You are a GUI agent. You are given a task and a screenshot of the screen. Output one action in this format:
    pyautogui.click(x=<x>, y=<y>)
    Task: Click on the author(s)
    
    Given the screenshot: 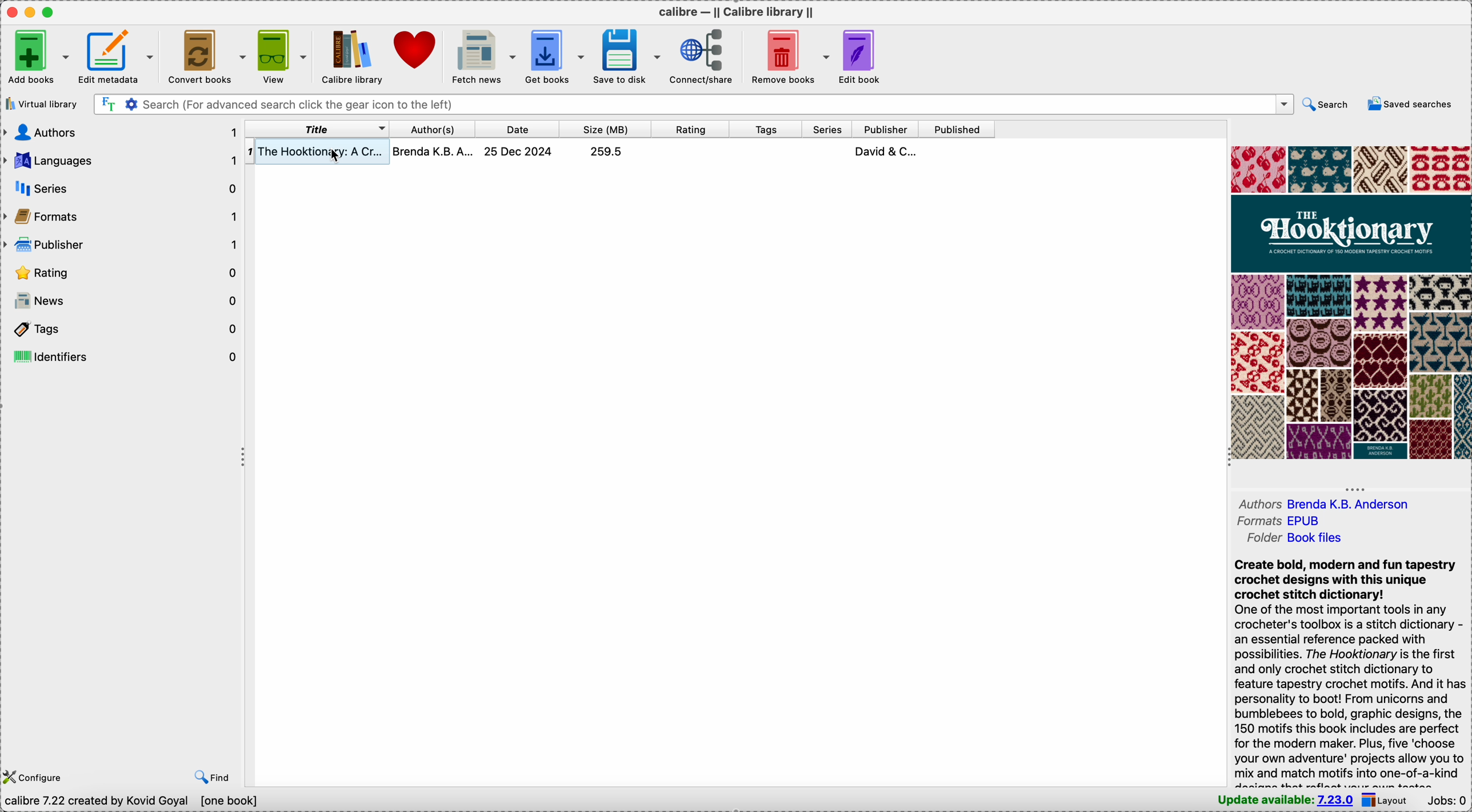 What is the action you would take?
    pyautogui.click(x=430, y=129)
    